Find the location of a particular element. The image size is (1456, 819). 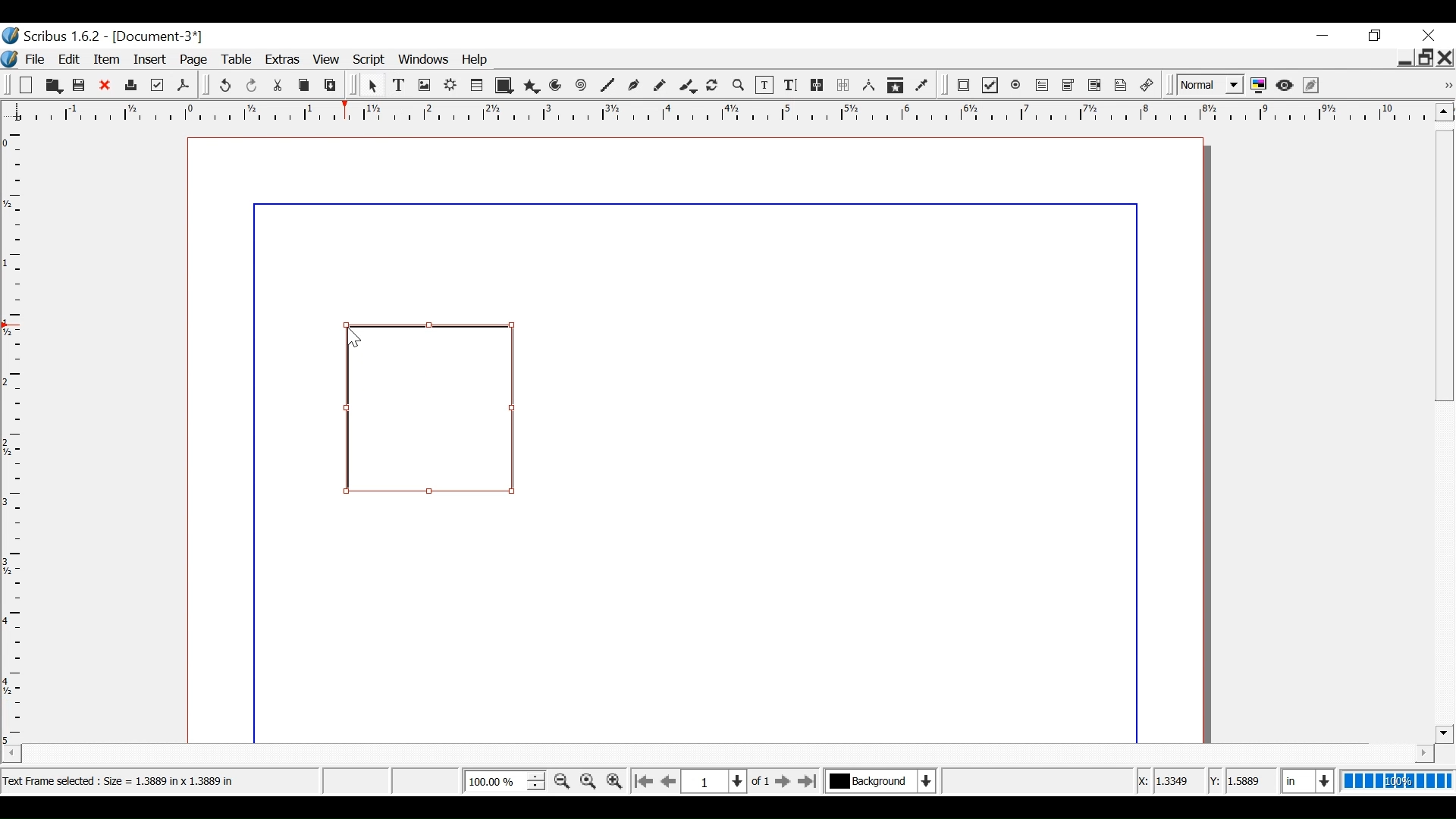

Edit is located at coordinates (71, 59).